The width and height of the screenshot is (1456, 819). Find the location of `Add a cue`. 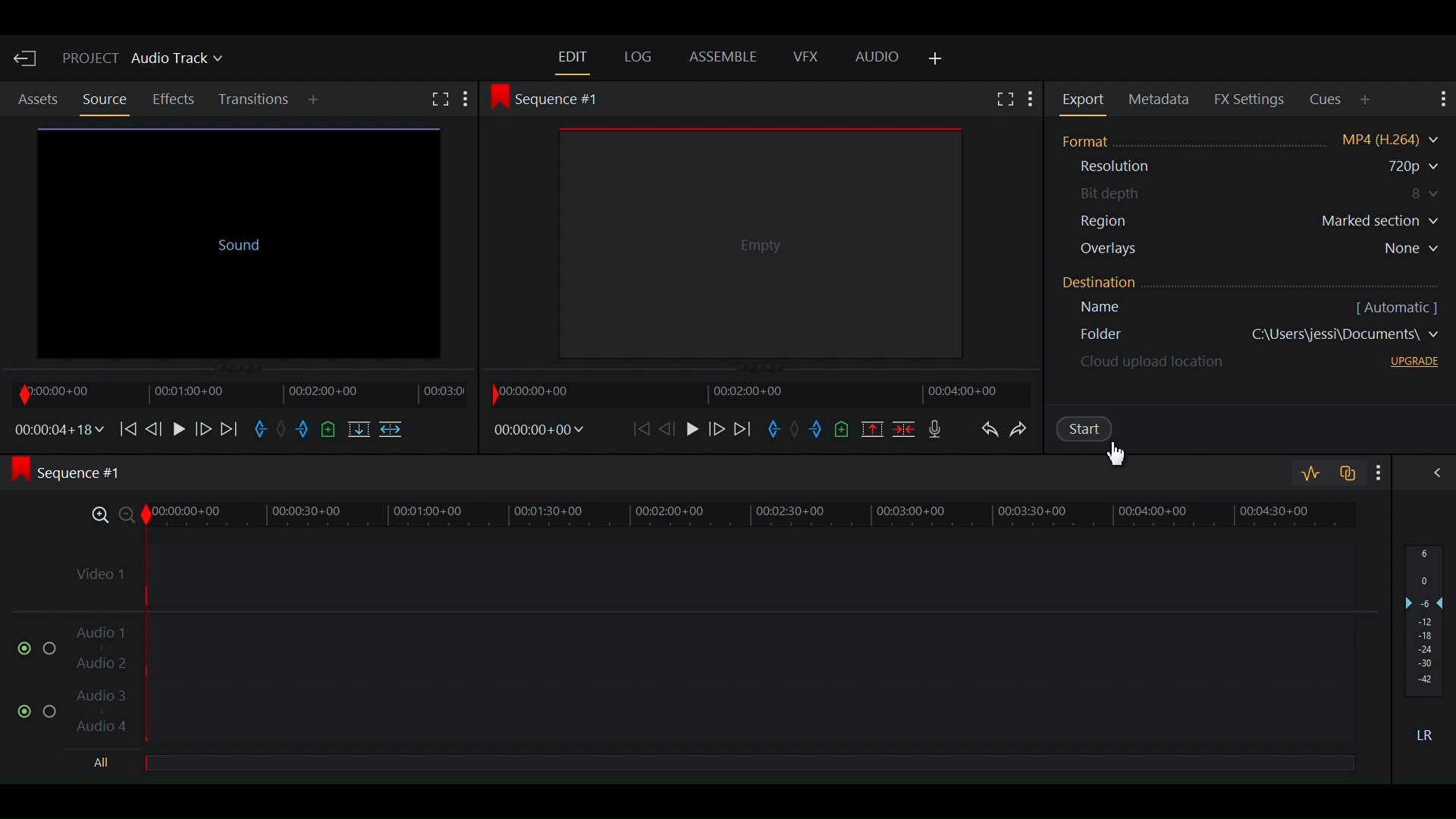

Add a cue is located at coordinates (330, 430).